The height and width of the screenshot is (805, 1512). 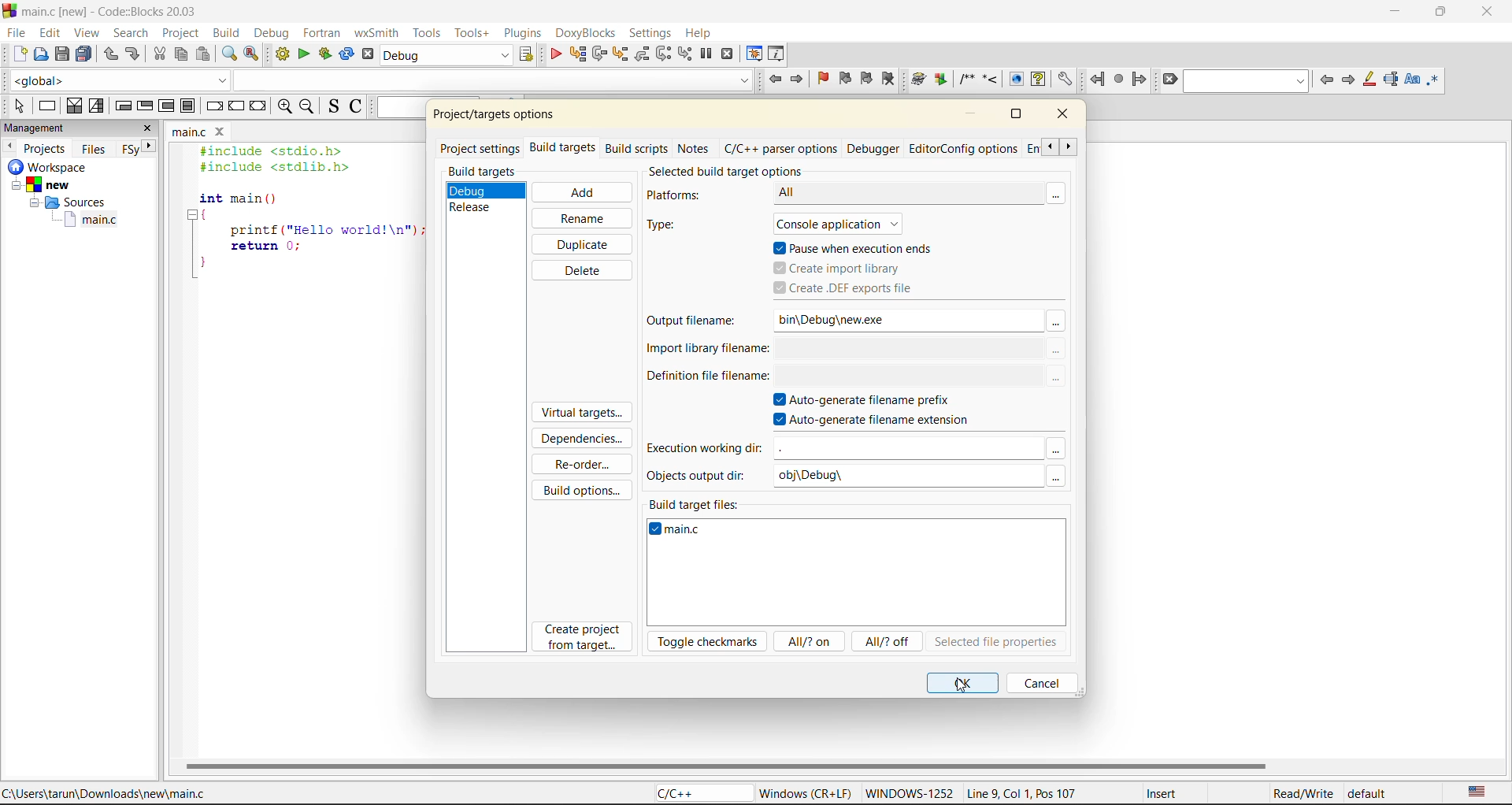 What do you see at coordinates (251, 52) in the screenshot?
I see `replace` at bounding box center [251, 52].